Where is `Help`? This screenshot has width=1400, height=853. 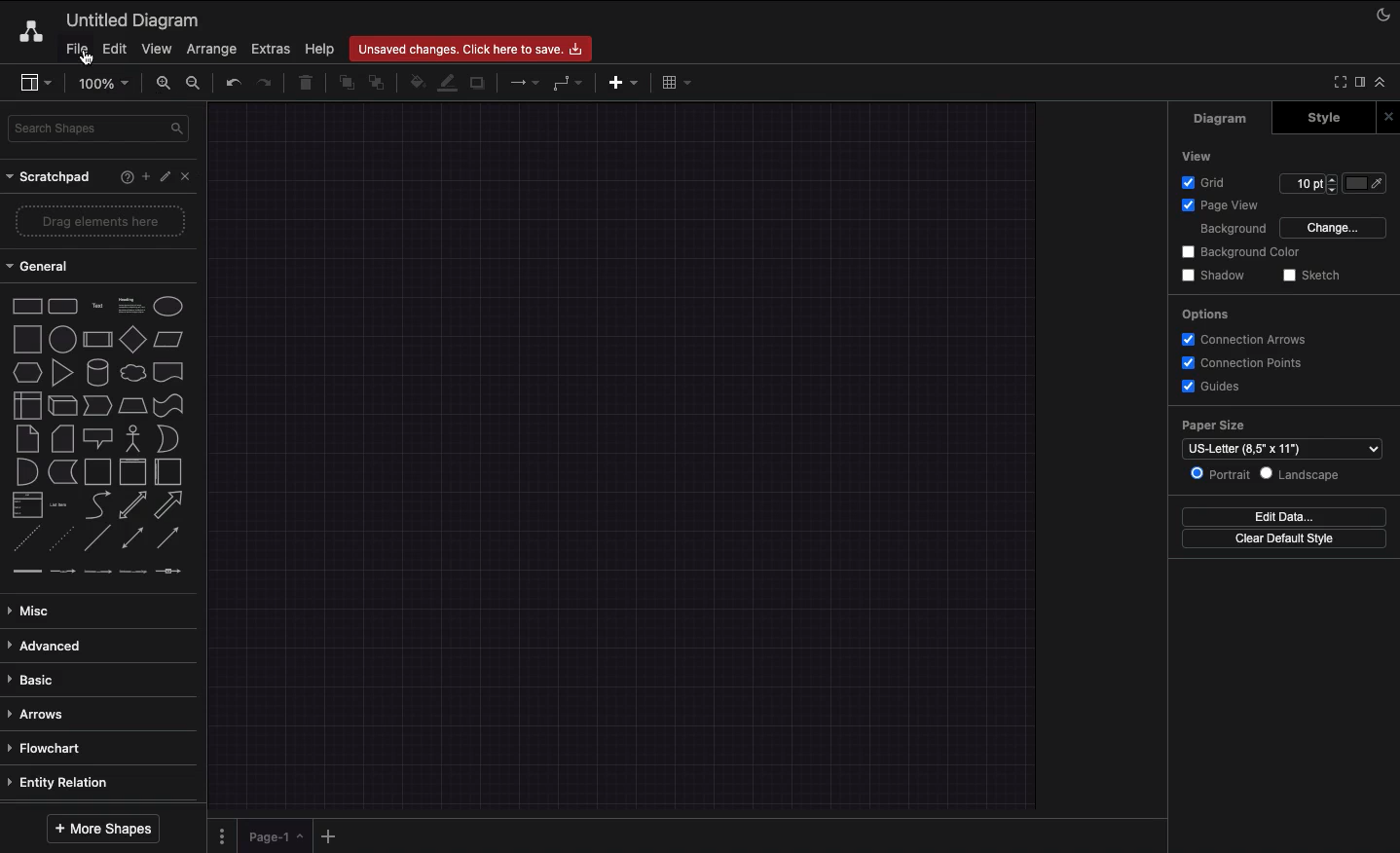 Help is located at coordinates (123, 176).